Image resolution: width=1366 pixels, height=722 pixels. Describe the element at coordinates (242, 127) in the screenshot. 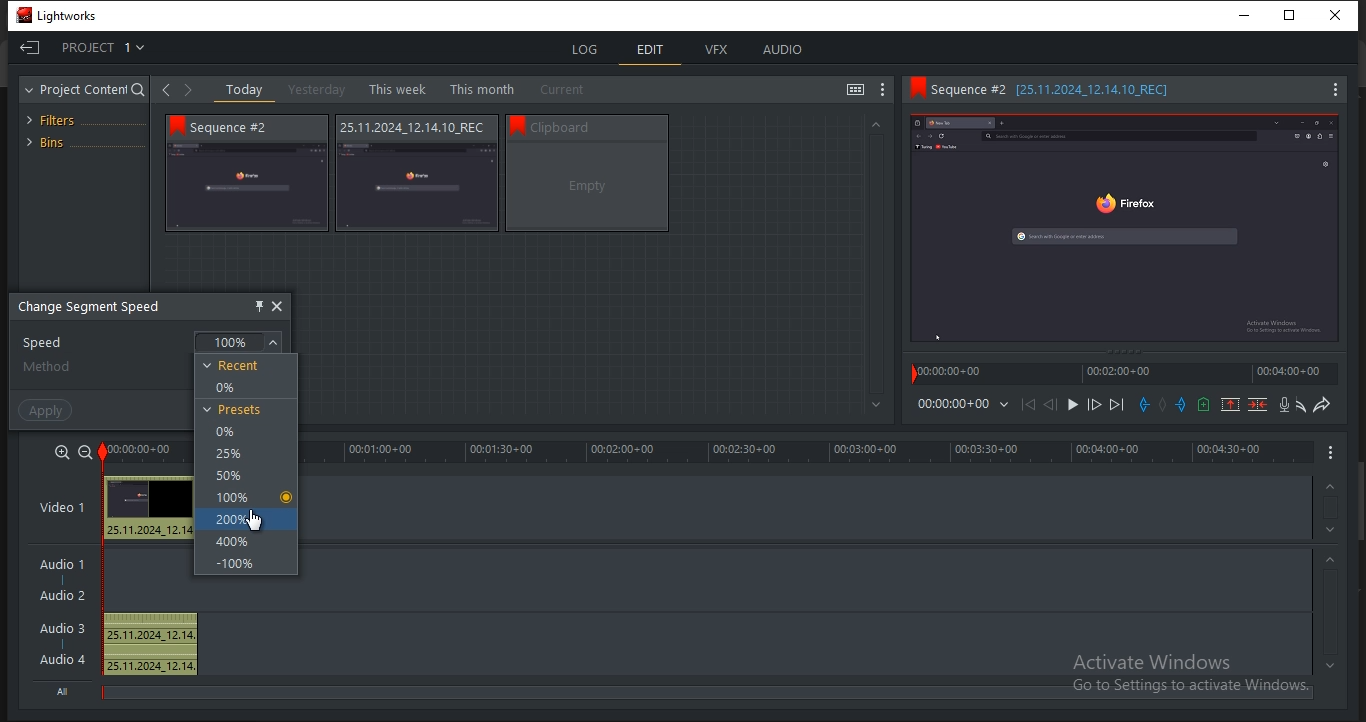

I see `Sequence # 2` at that location.